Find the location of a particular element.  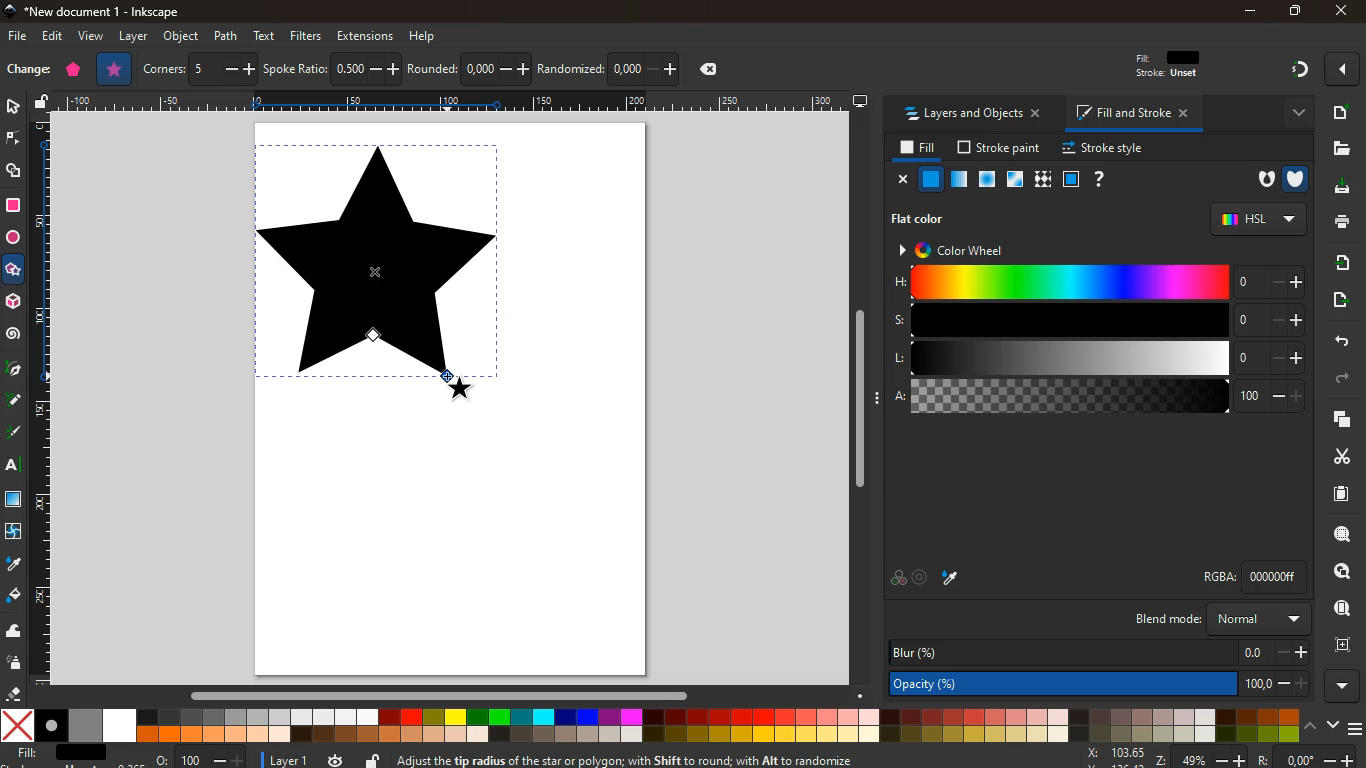

h is located at coordinates (1099, 282).